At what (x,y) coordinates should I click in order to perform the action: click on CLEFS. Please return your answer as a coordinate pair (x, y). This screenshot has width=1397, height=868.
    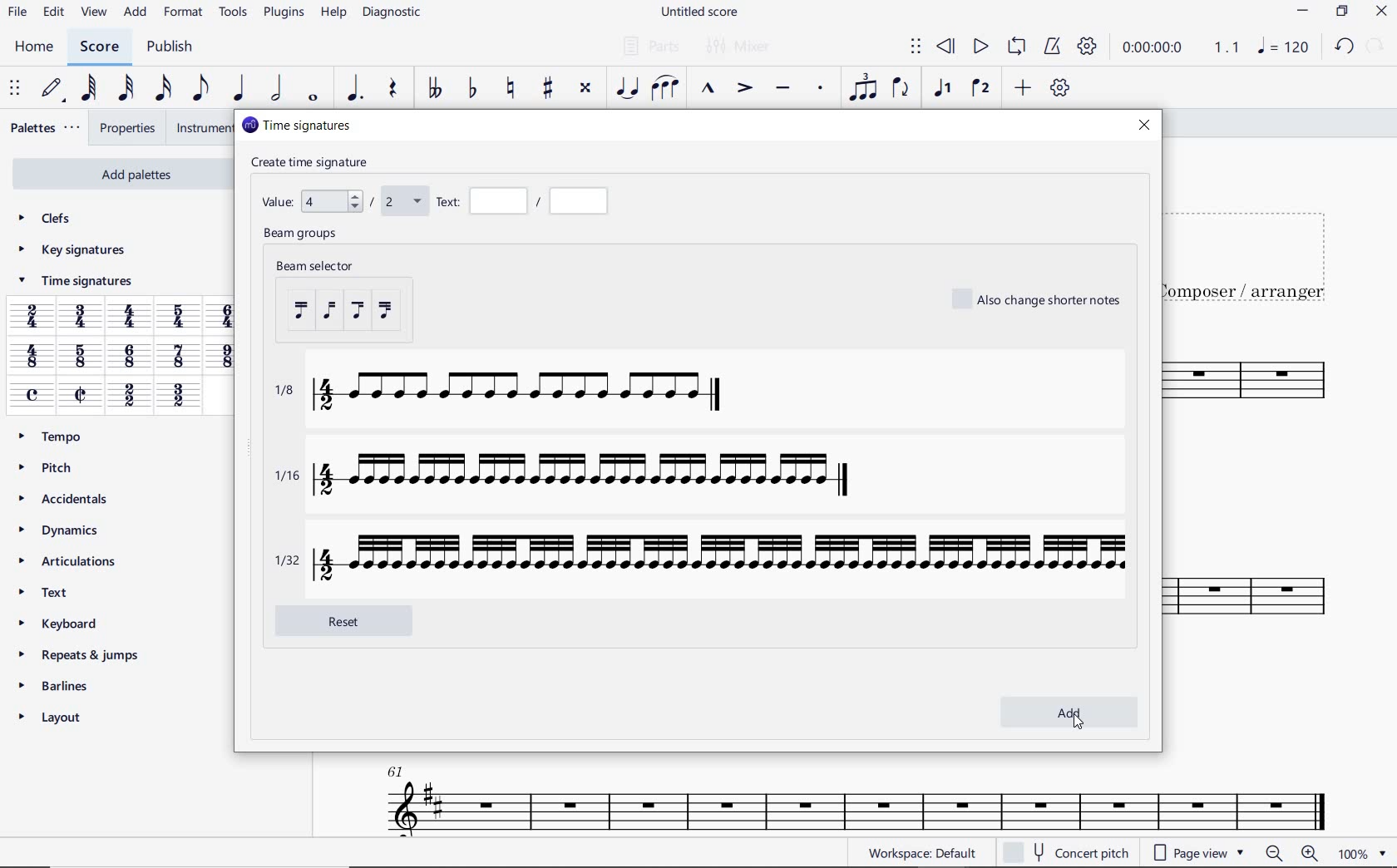
    Looking at the image, I should click on (47, 220).